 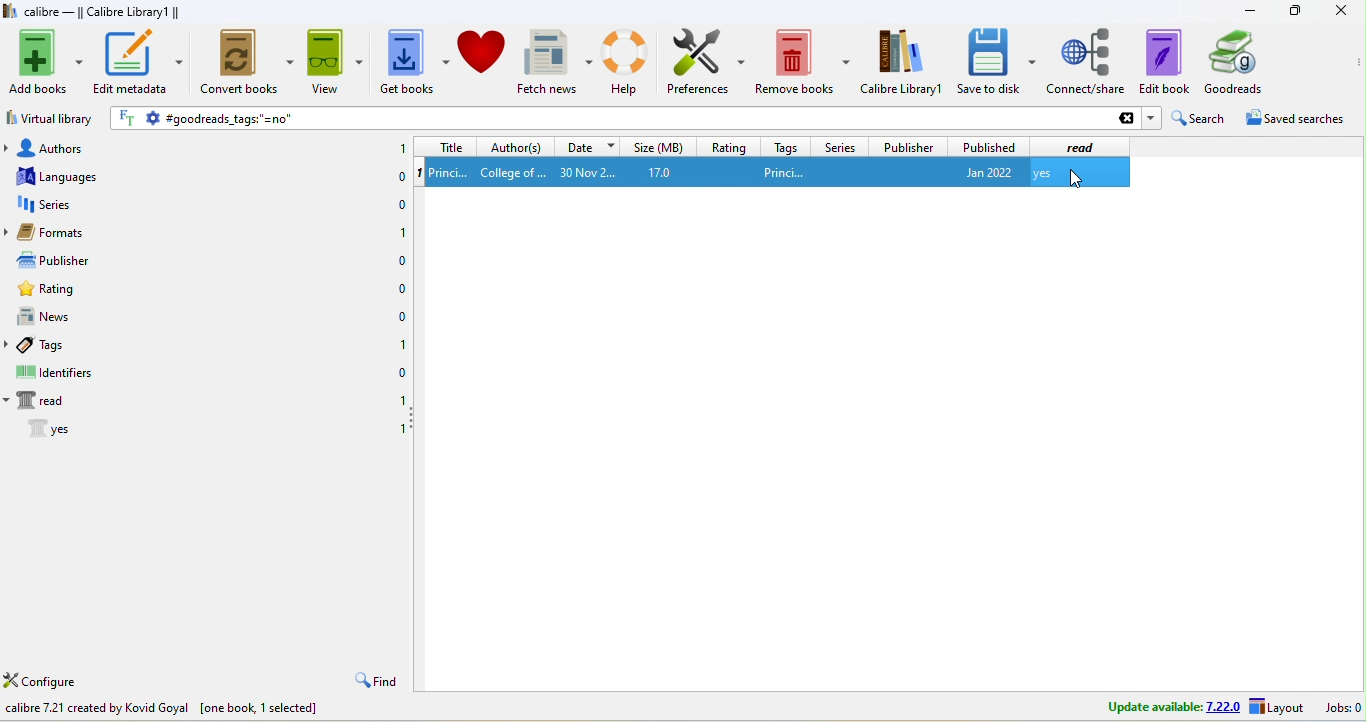 What do you see at coordinates (161, 709) in the screenshot?
I see `calibre 7.21 created by Kovid Goyal [one book, 1 selected]` at bounding box center [161, 709].